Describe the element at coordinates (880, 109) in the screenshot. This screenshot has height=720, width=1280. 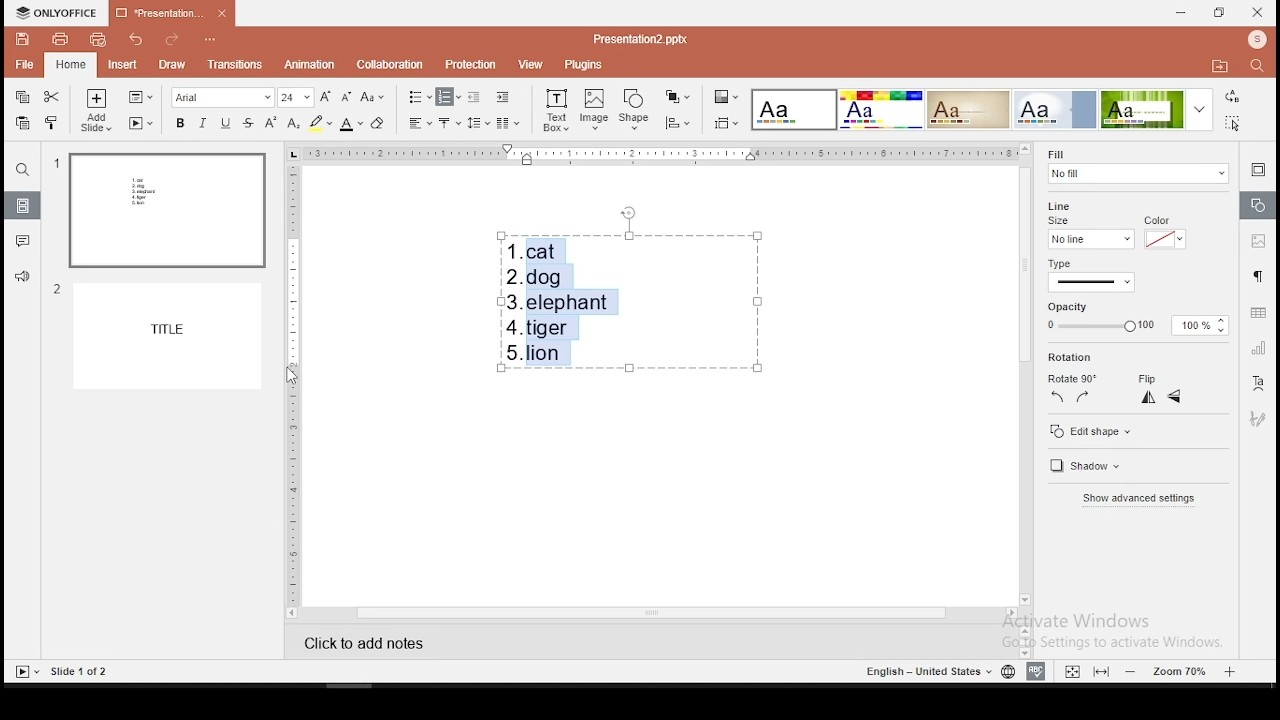
I see `theme ` at that location.